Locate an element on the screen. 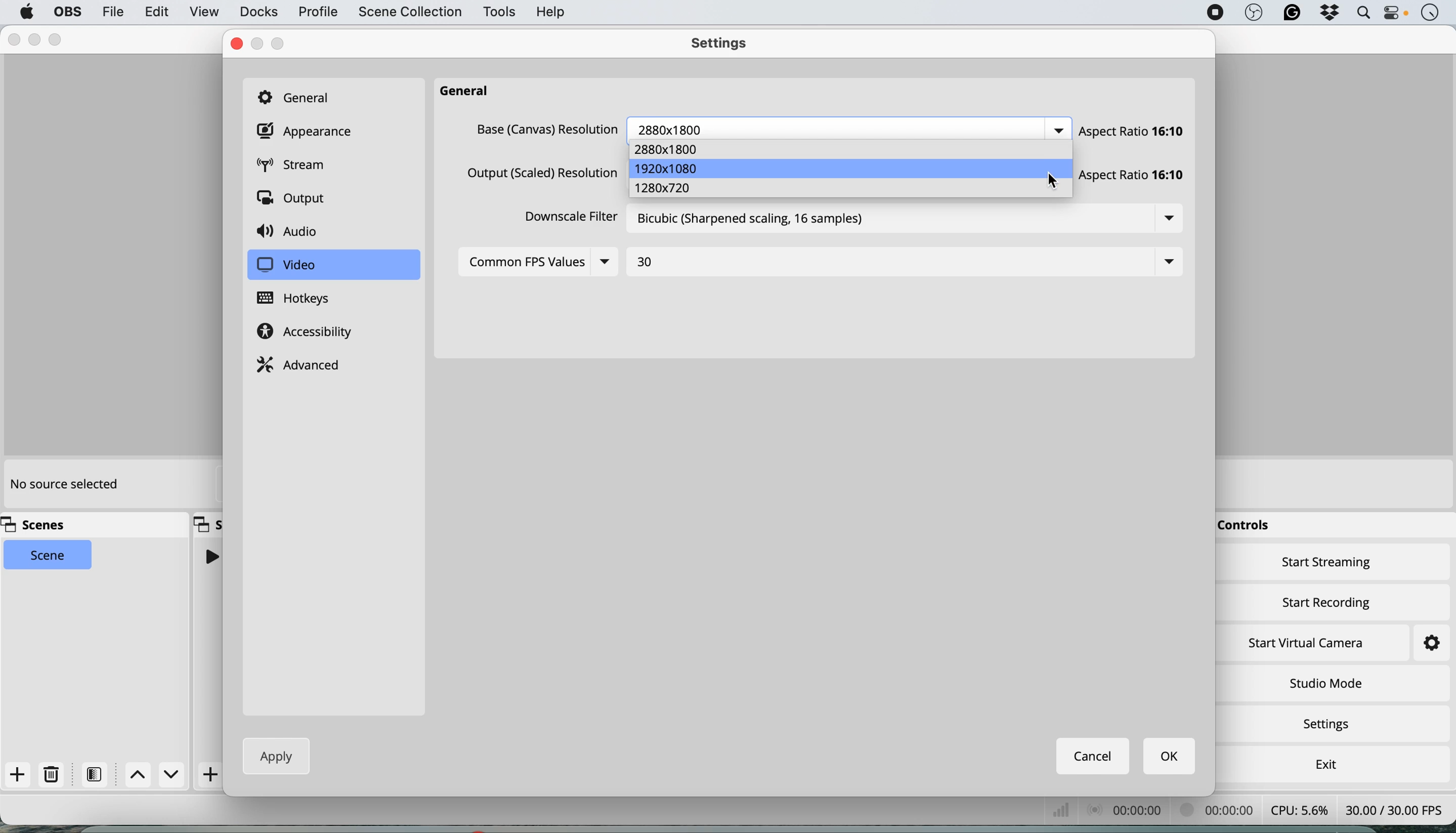 The width and height of the screenshot is (1456, 833). 30 is located at coordinates (646, 261).